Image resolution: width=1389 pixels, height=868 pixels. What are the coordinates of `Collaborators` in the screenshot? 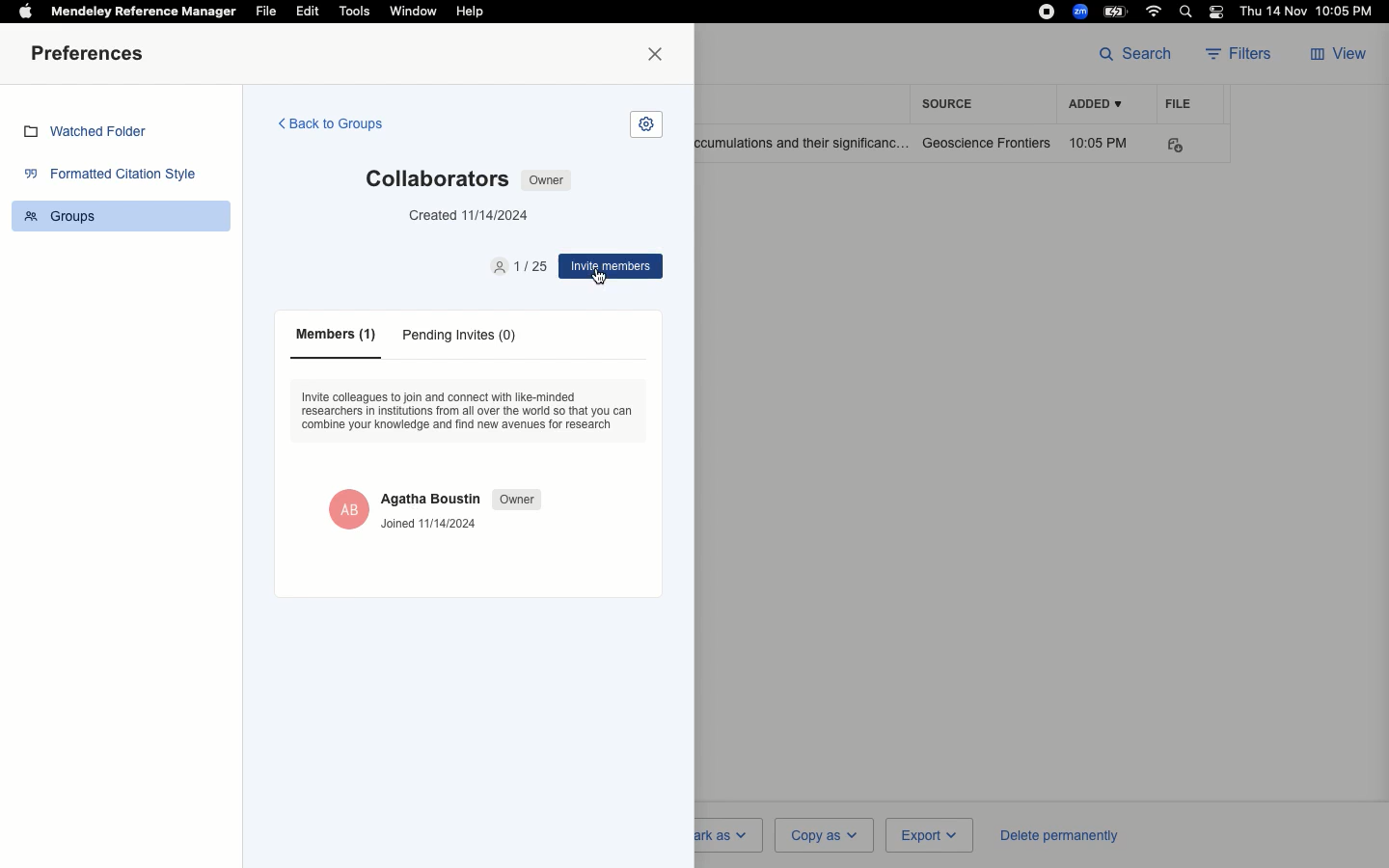 It's located at (435, 179).